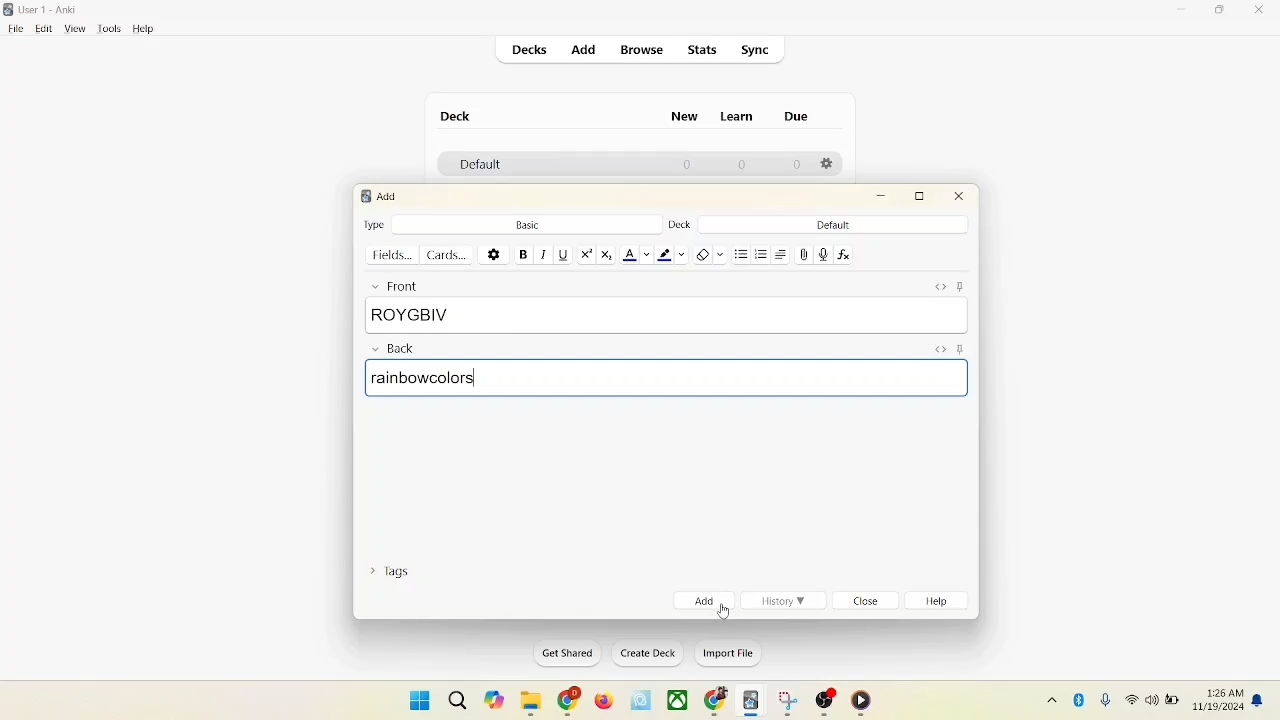  What do you see at coordinates (685, 119) in the screenshot?
I see `new` at bounding box center [685, 119].